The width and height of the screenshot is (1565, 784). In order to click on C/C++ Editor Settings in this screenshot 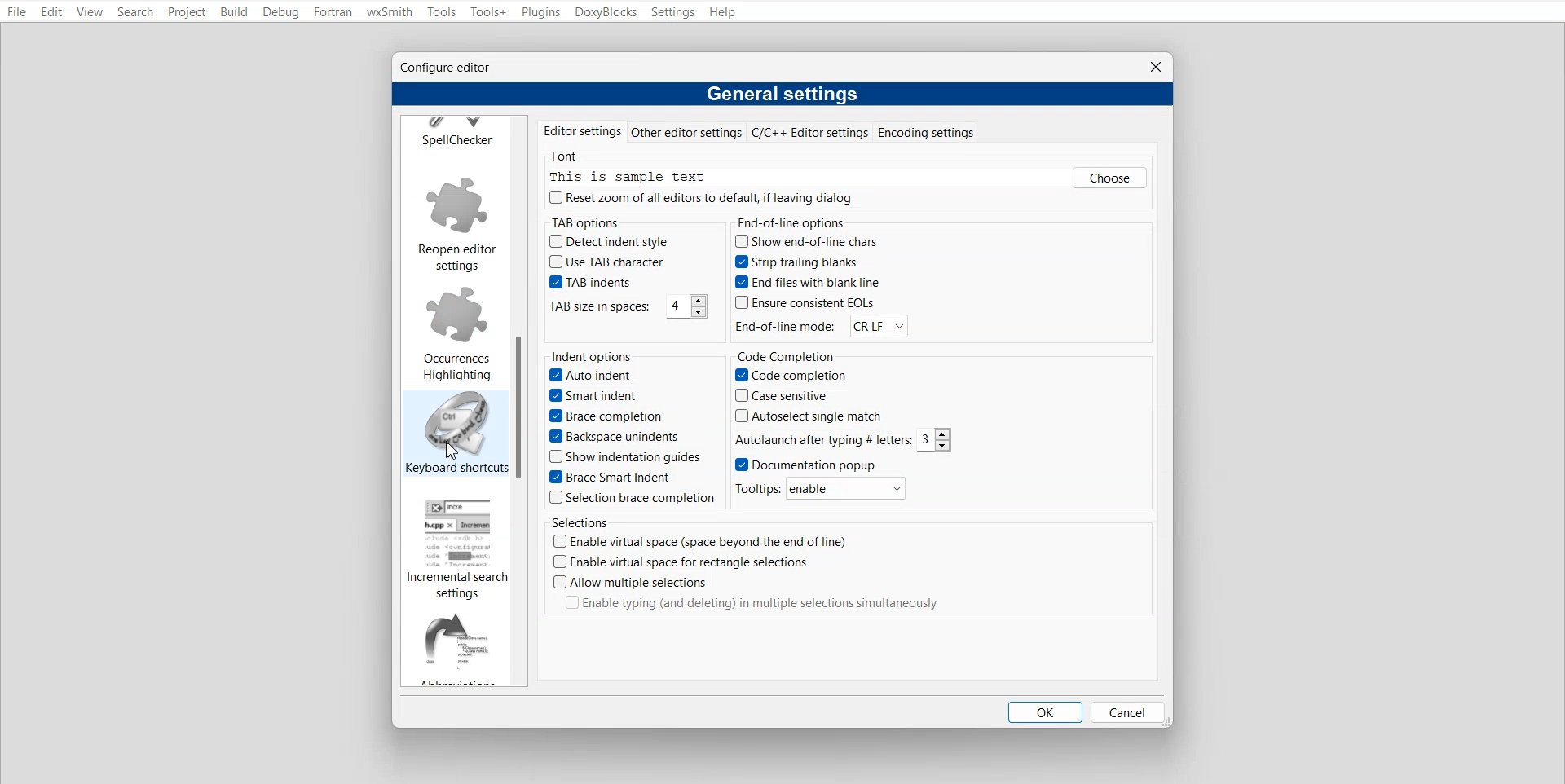, I will do `click(808, 131)`.